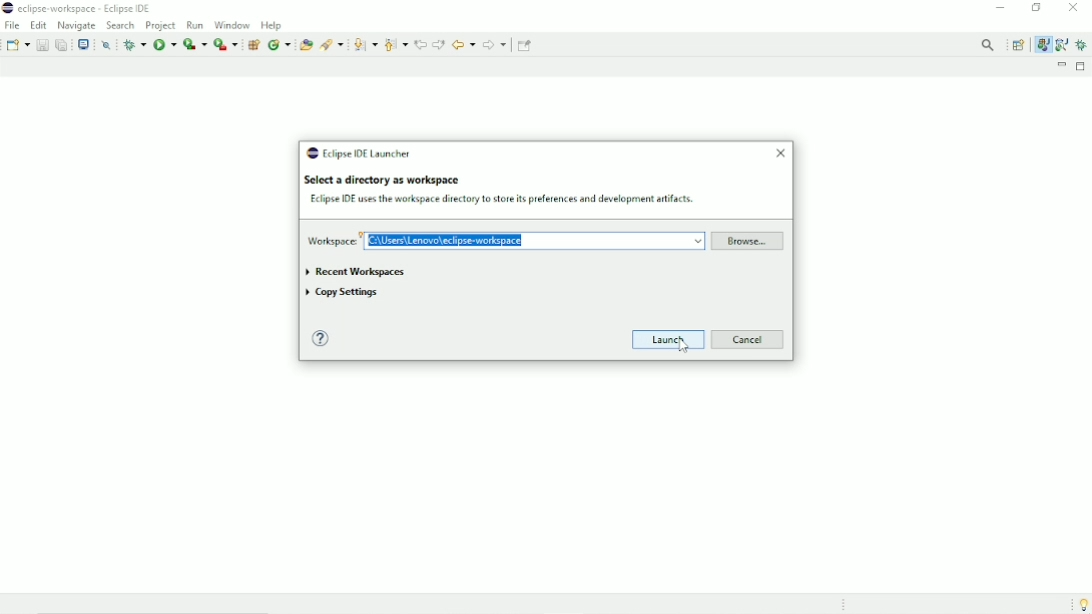 Image resolution: width=1092 pixels, height=614 pixels. I want to click on Restore down, so click(1034, 8).